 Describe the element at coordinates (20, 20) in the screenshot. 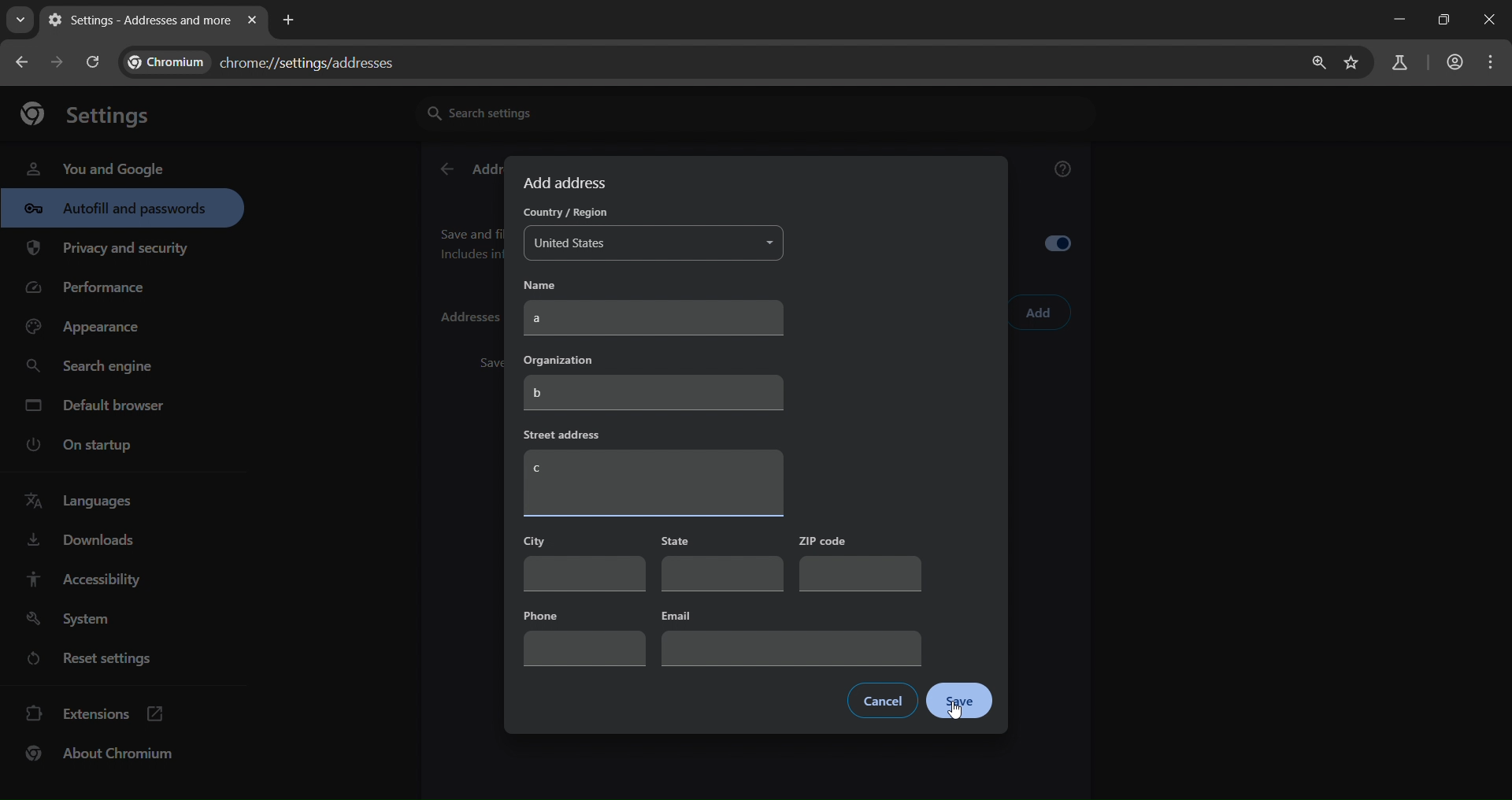

I see `search  tabs` at that location.